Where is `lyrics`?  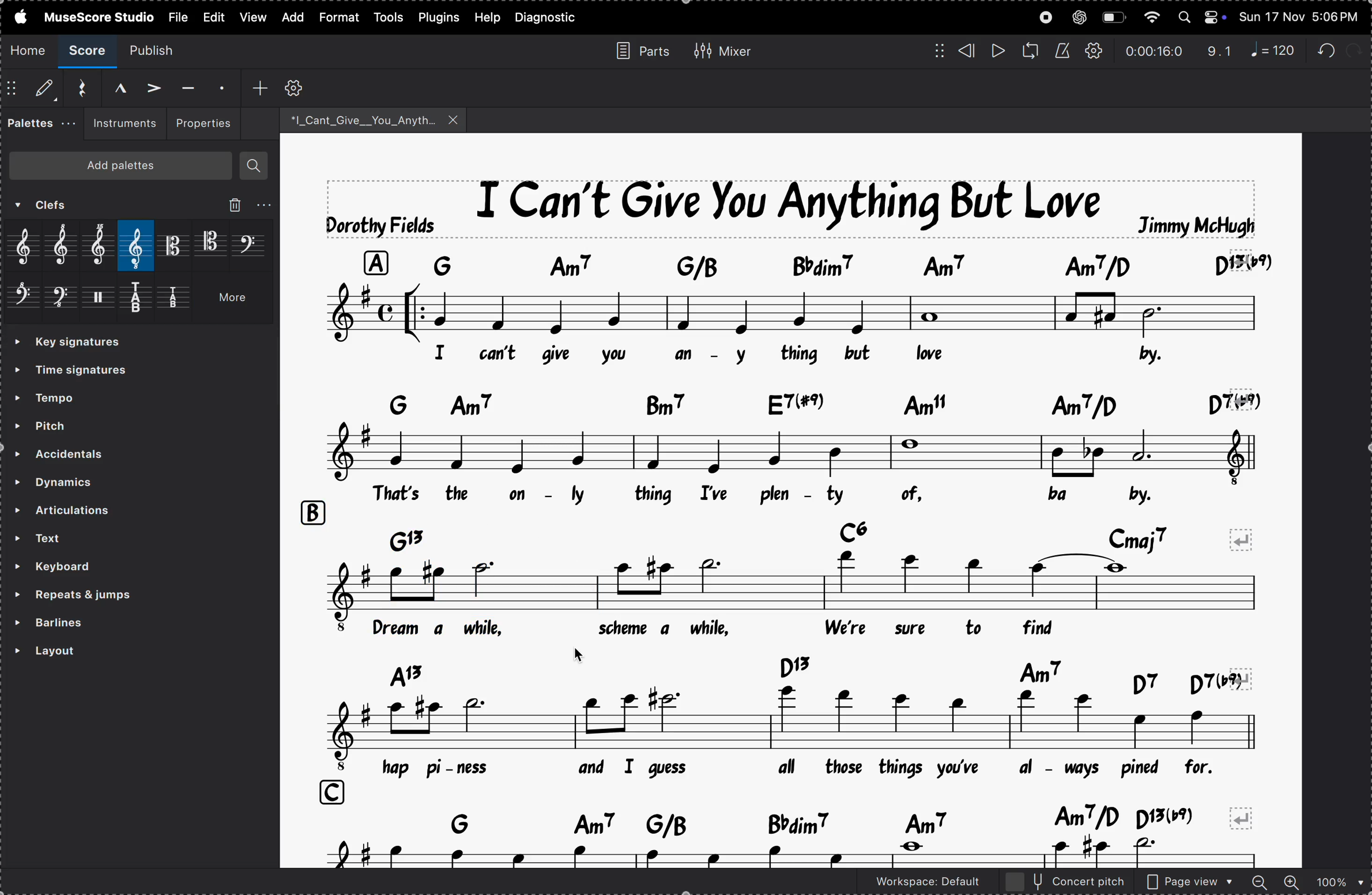
lyrics is located at coordinates (732, 633).